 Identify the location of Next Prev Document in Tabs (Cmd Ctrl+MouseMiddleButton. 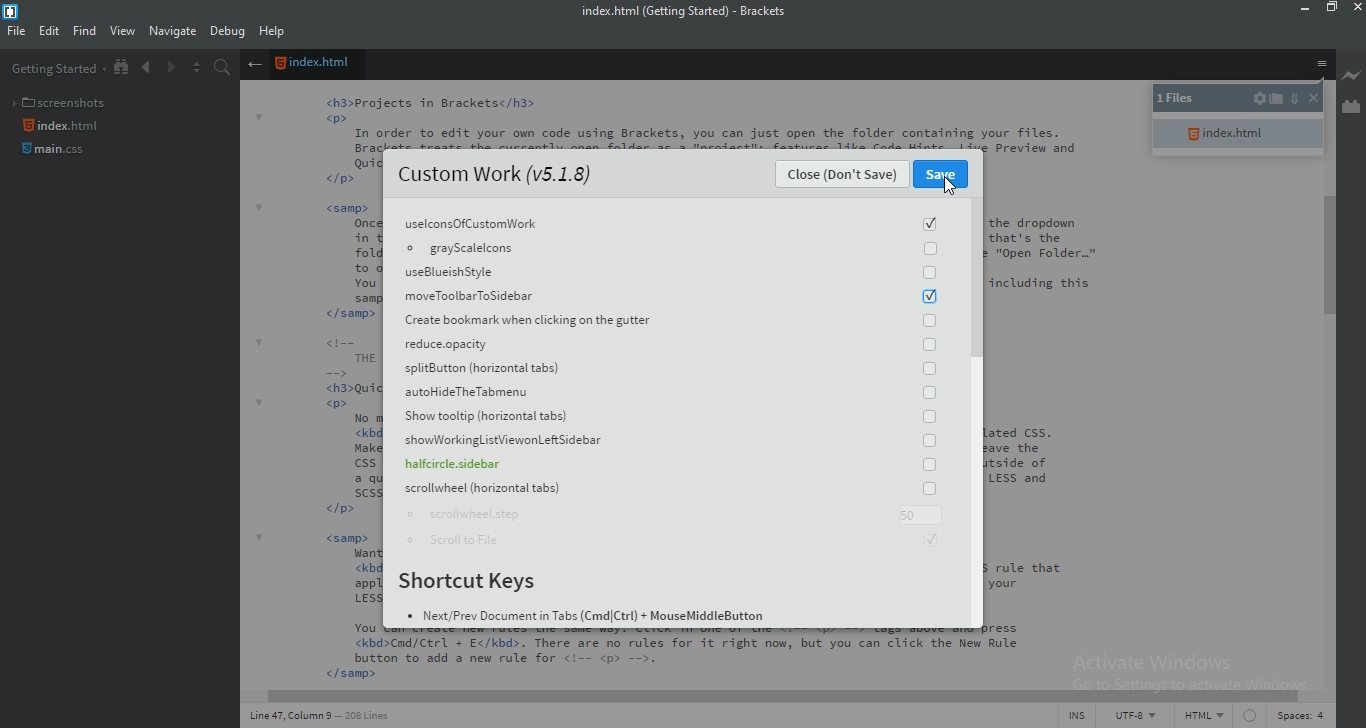
(588, 619).